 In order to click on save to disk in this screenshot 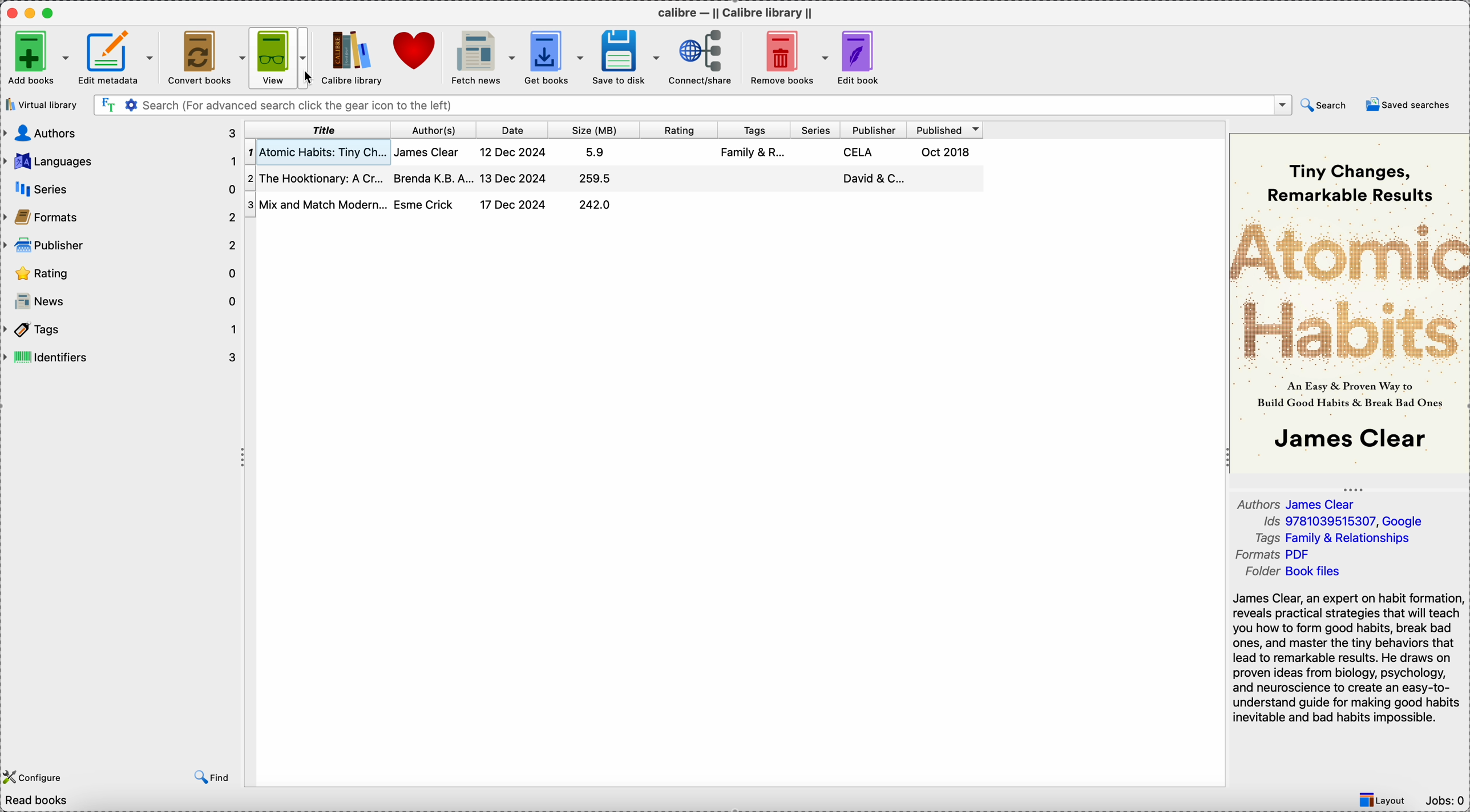, I will do `click(625, 58)`.